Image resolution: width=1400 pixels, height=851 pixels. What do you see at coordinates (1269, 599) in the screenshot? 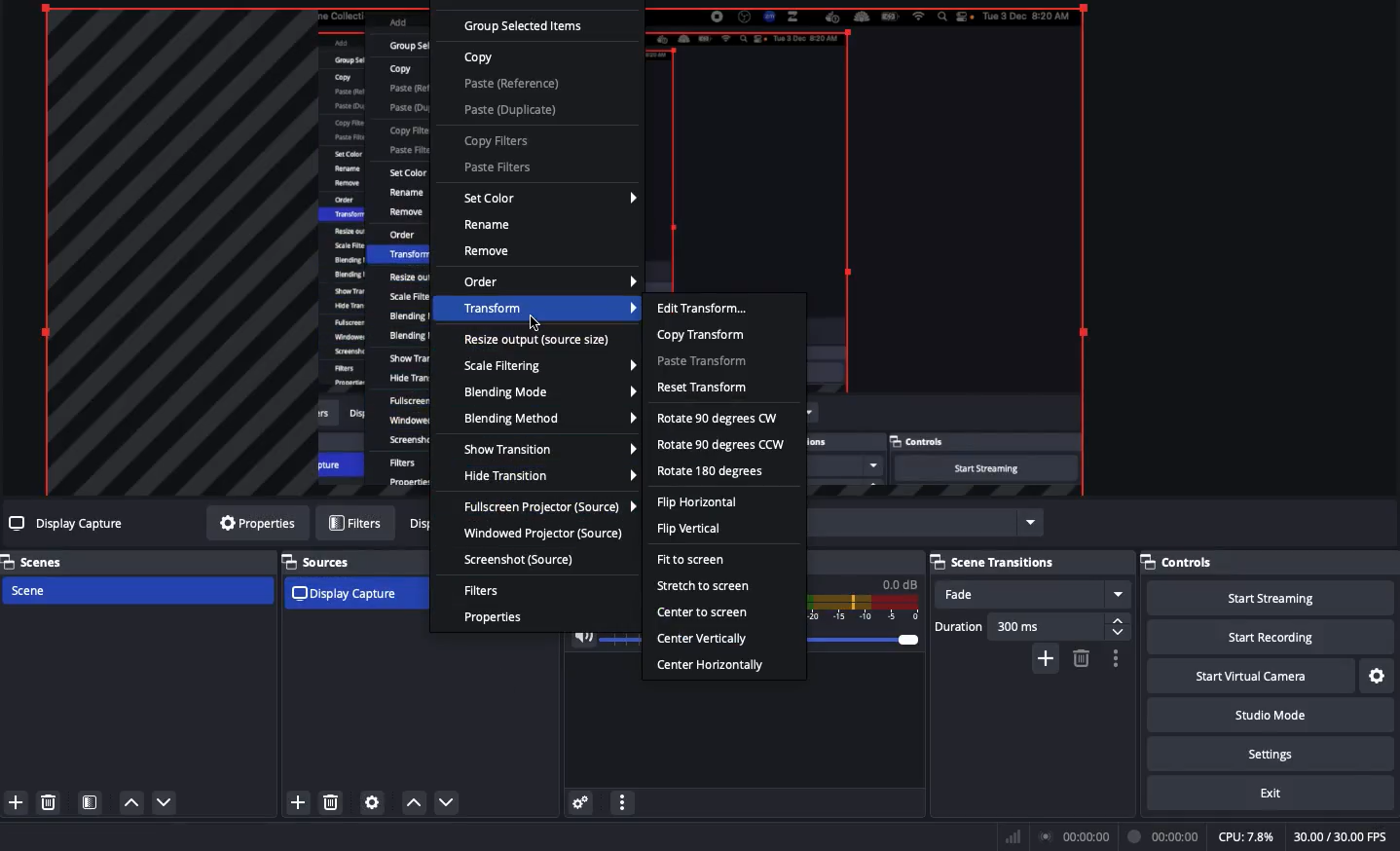
I see `Start streaming` at bounding box center [1269, 599].